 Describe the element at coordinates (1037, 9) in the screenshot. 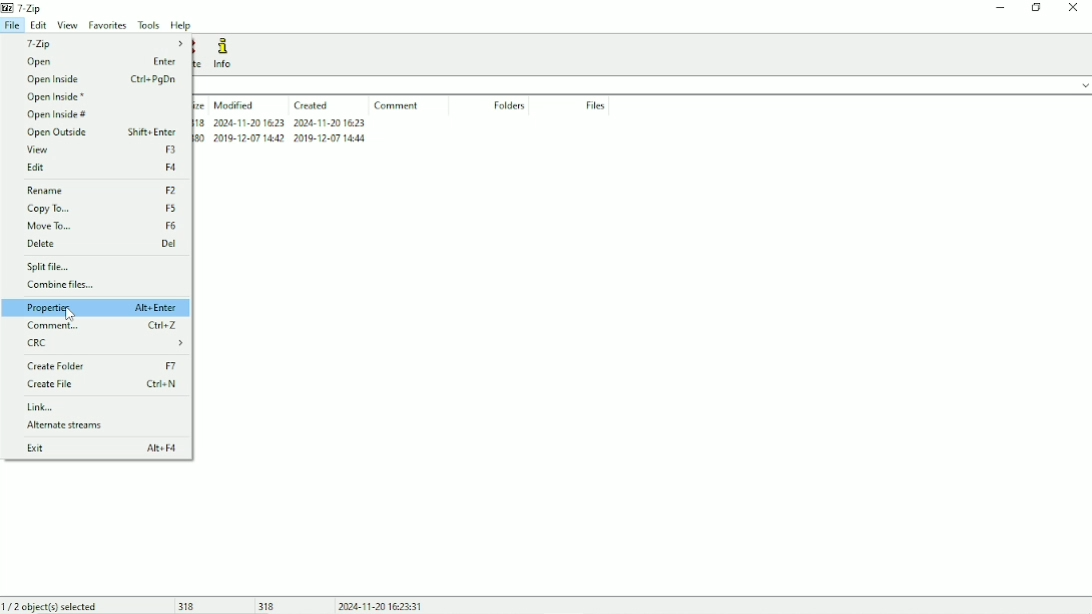

I see `Restore down` at that location.